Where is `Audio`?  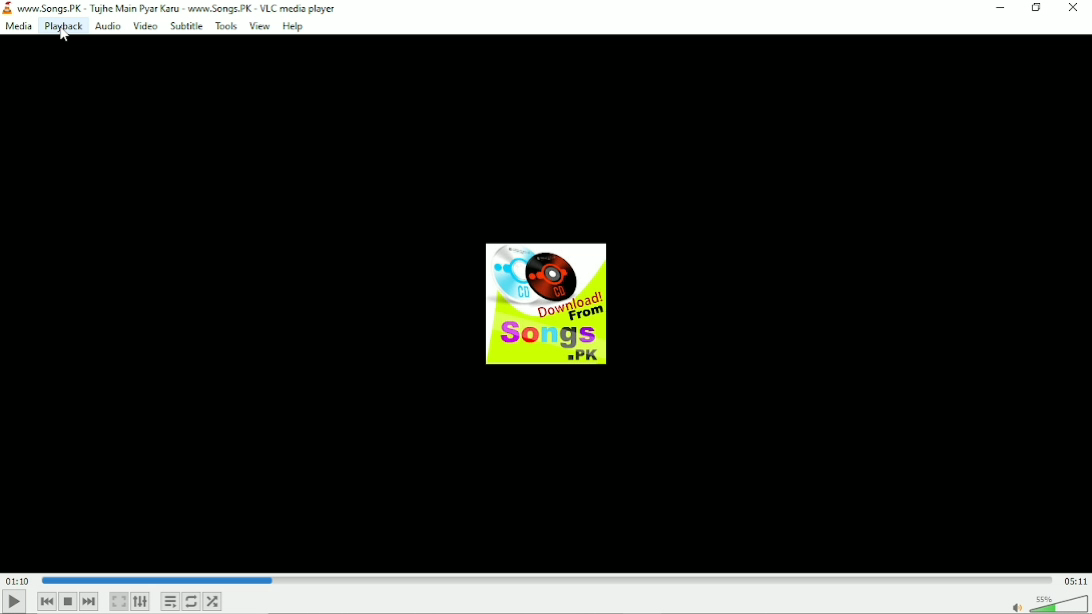 Audio is located at coordinates (107, 26).